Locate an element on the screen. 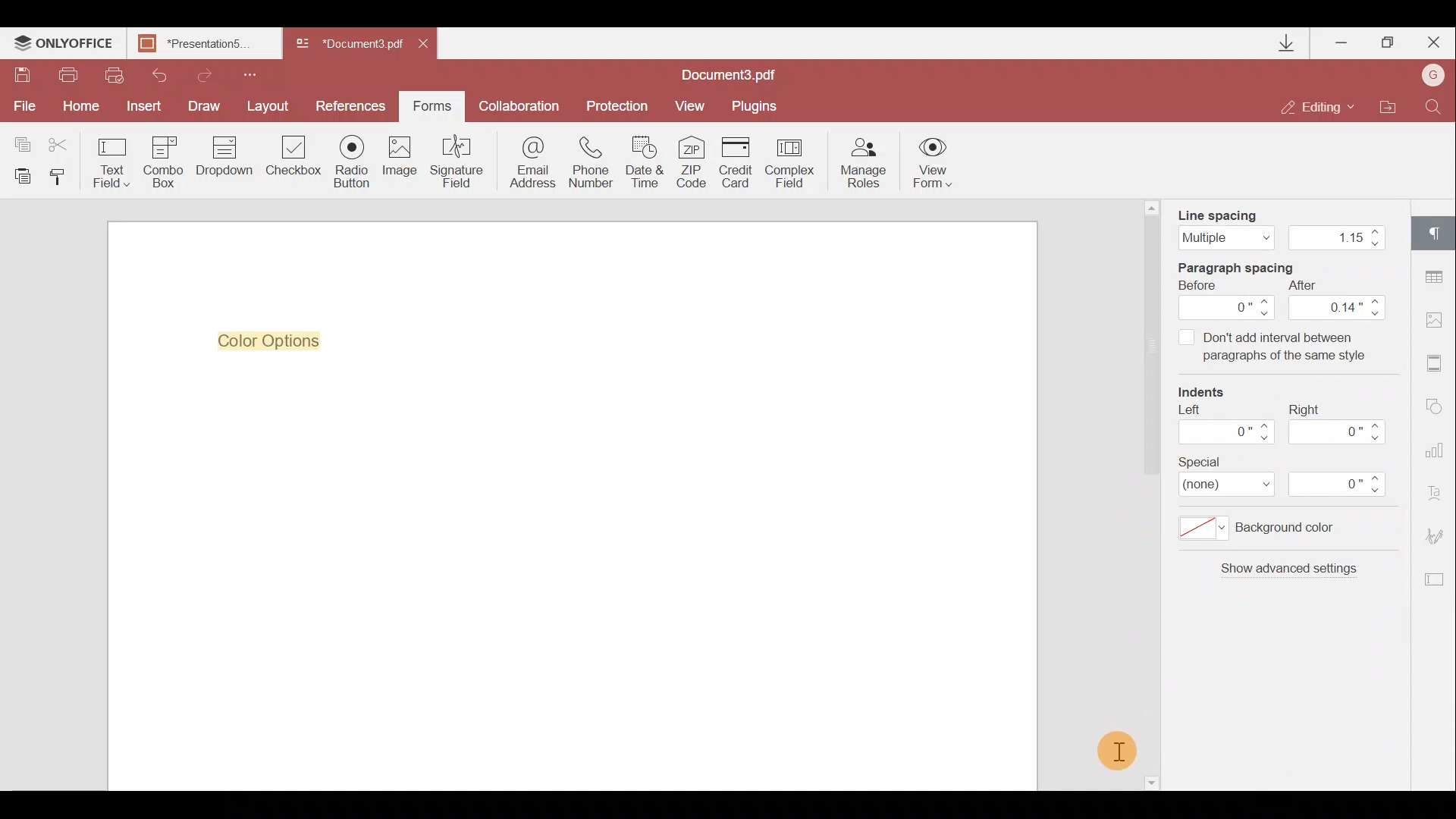 The image size is (1456, 819). Scroll down is located at coordinates (1150, 780).